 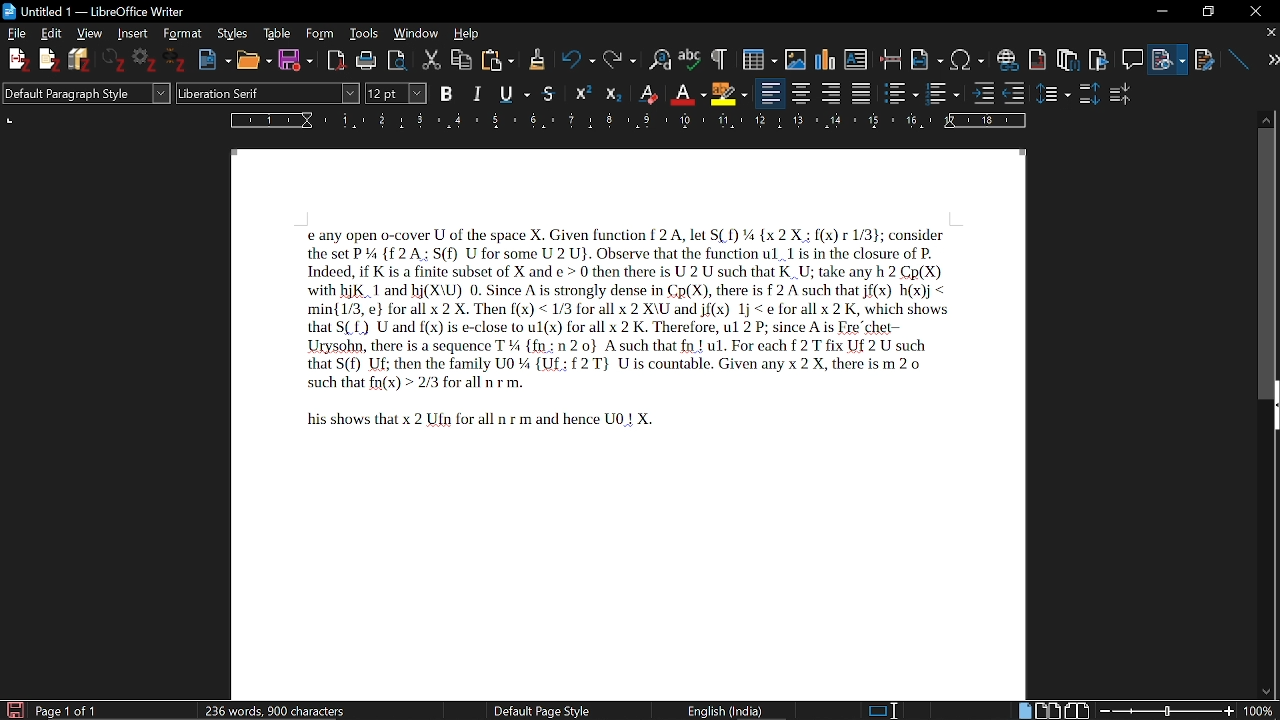 What do you see at coordinates (1025, 710) in the screenshot?
I see `single page` at bounding box center [1025, 710].